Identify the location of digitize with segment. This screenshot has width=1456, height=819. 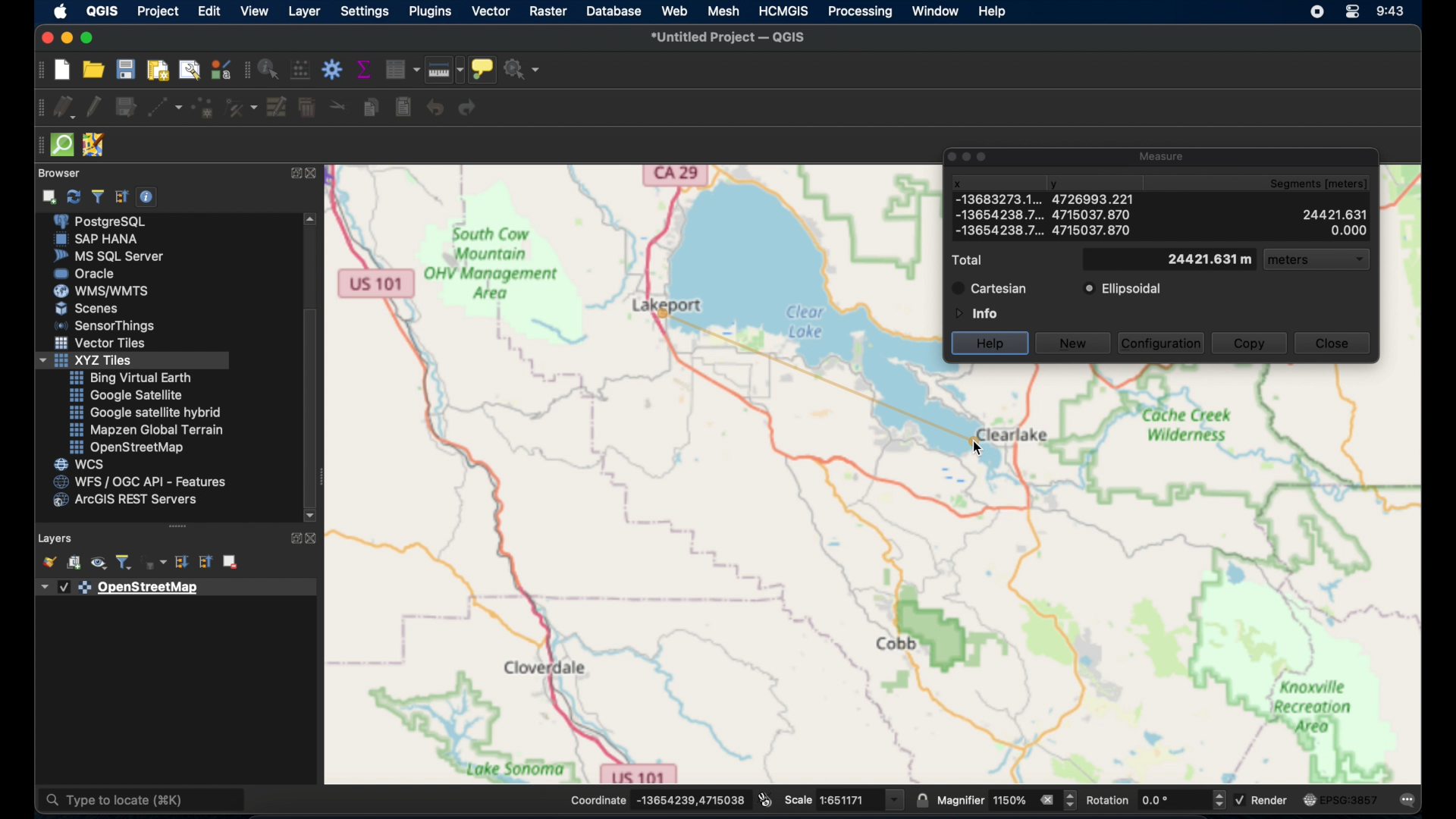
(165, 109).